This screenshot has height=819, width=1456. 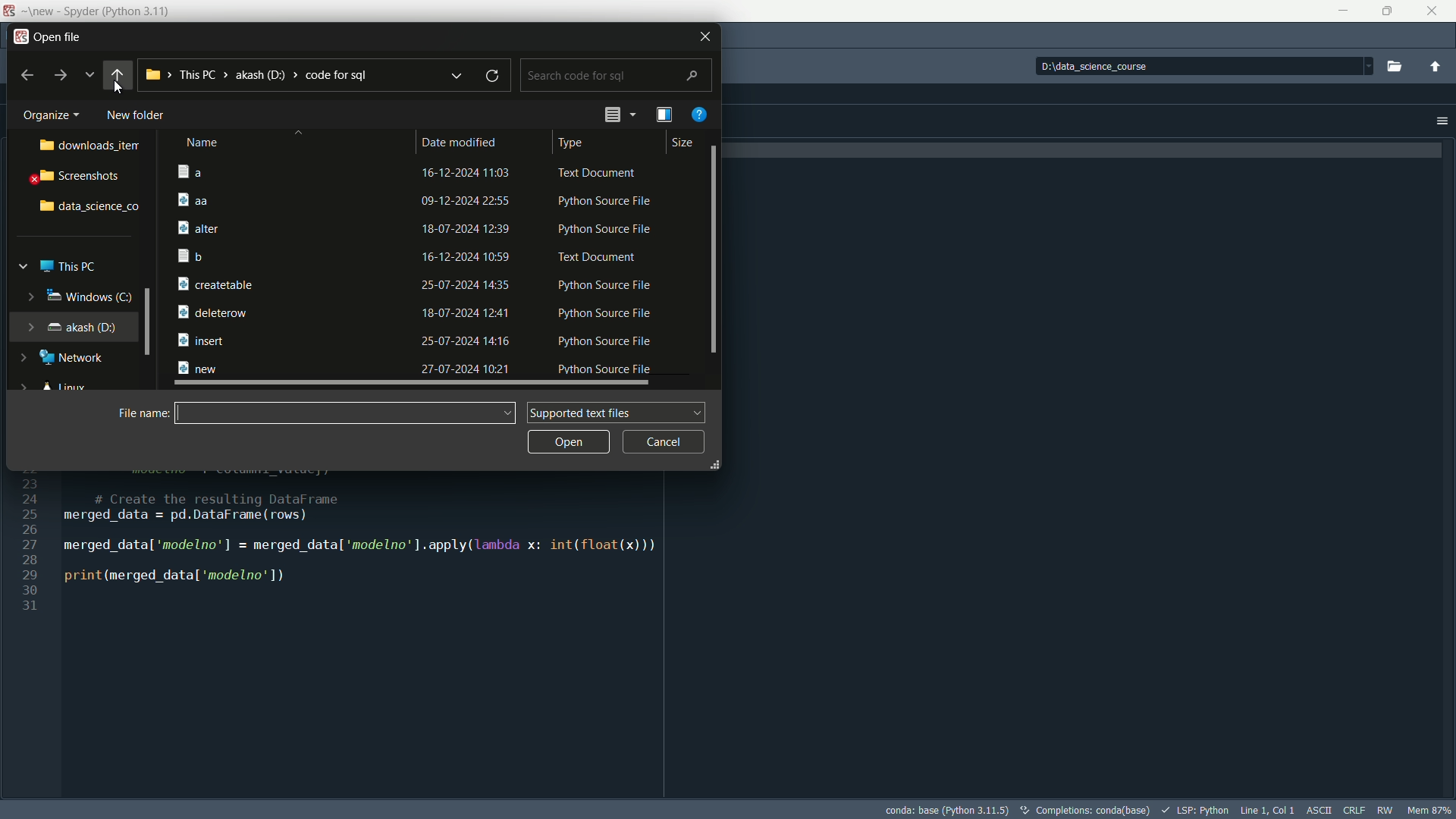 I want to click on refresh, so click(x=495, y=77).